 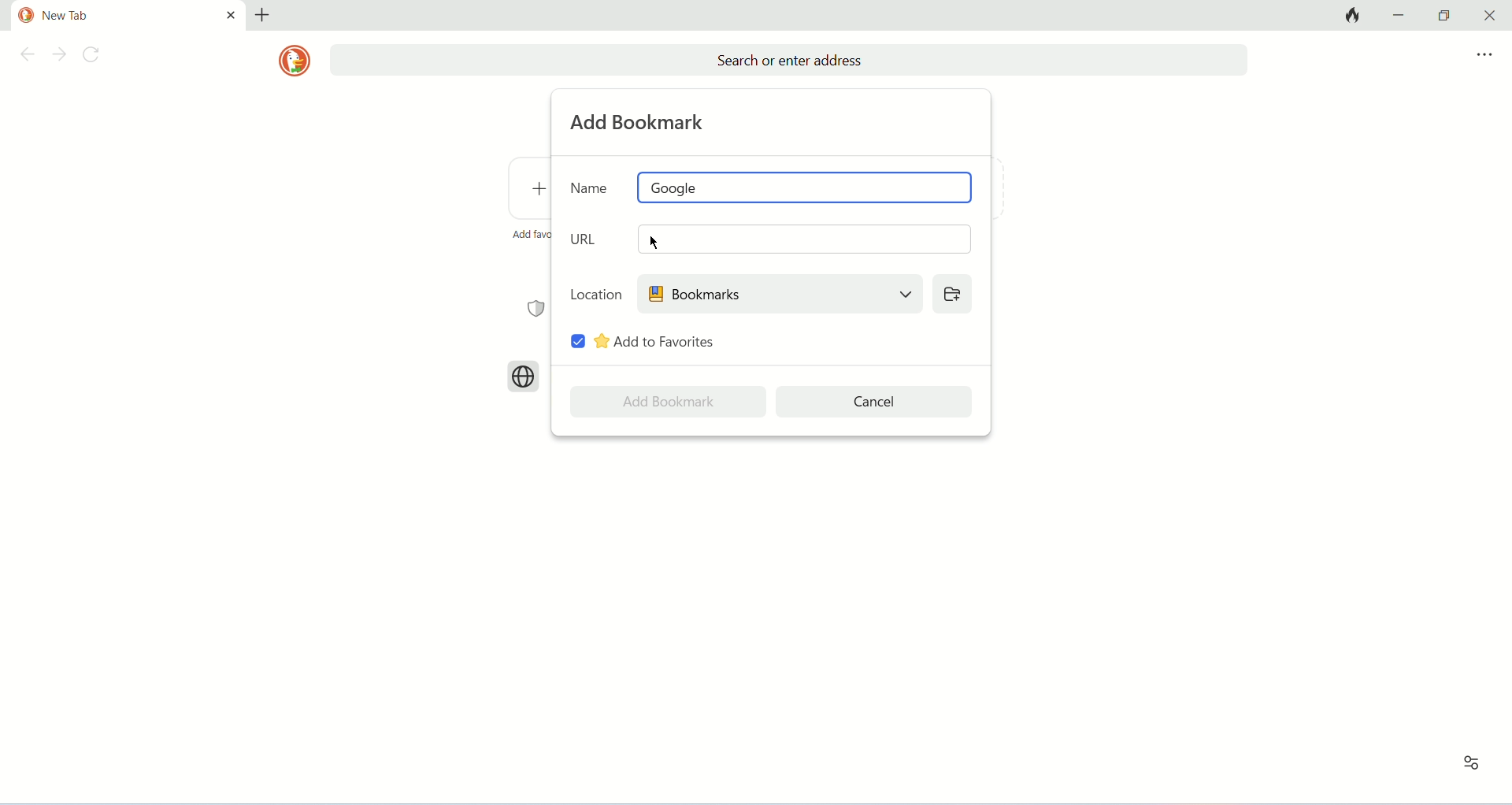 I want to click on URL, so click(x=587, y=239).